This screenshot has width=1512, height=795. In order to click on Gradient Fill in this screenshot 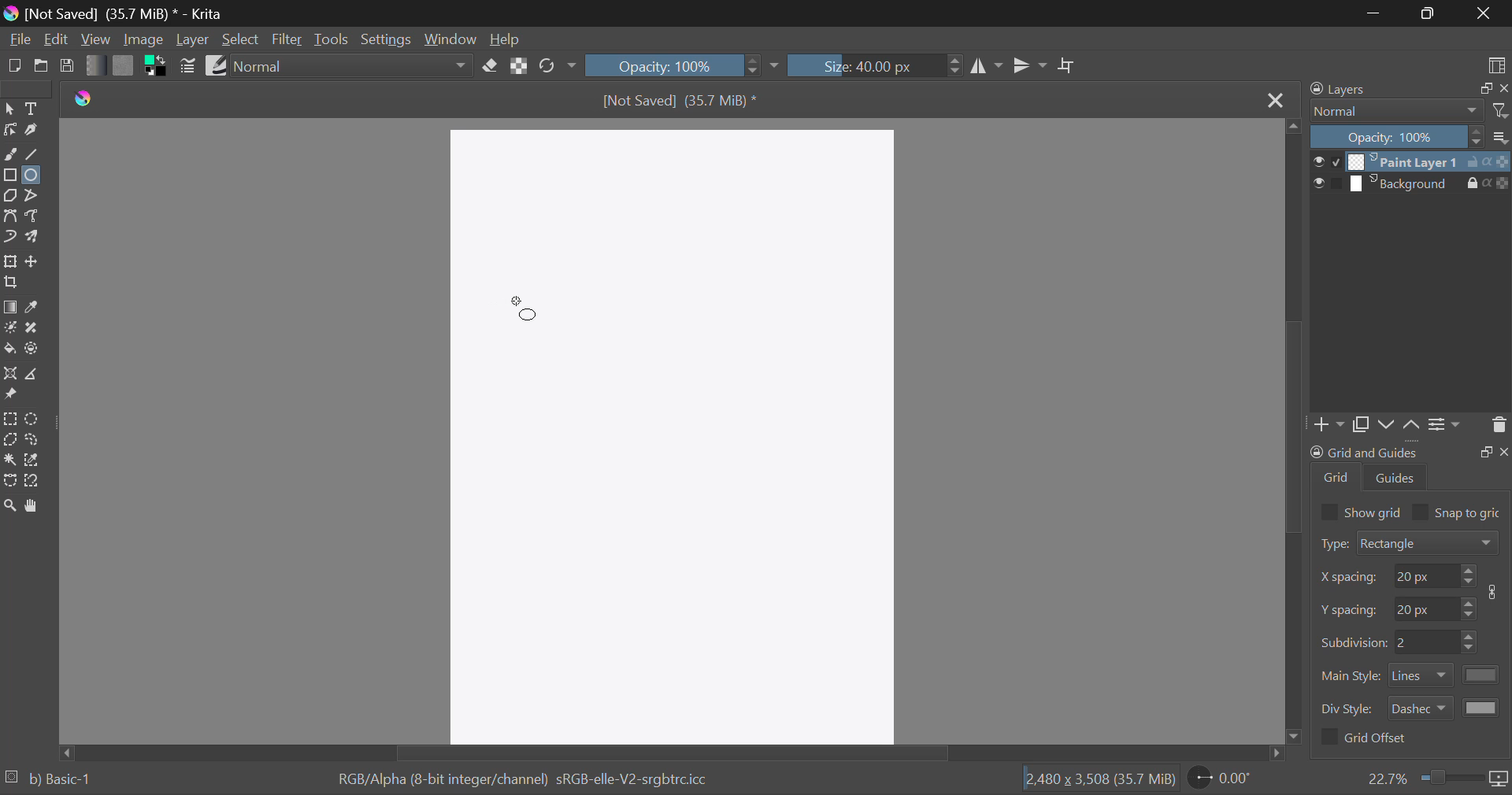, I will do `click(11, 307)`.